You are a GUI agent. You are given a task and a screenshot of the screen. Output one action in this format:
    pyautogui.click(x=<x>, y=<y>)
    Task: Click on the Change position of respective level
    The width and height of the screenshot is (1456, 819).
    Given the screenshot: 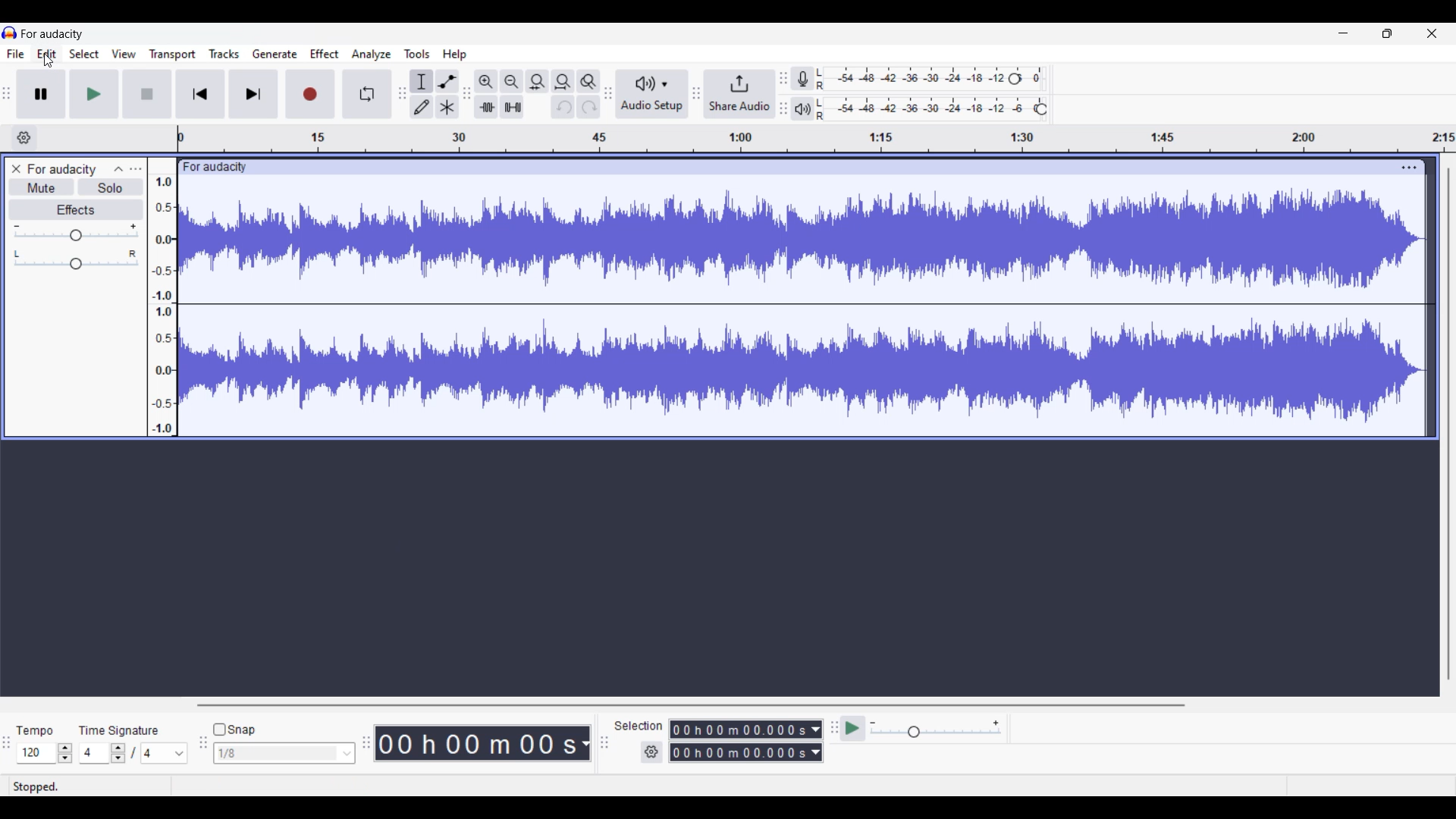 What is the action you would take?
    pyautogui.click(x=783, y=93)
    